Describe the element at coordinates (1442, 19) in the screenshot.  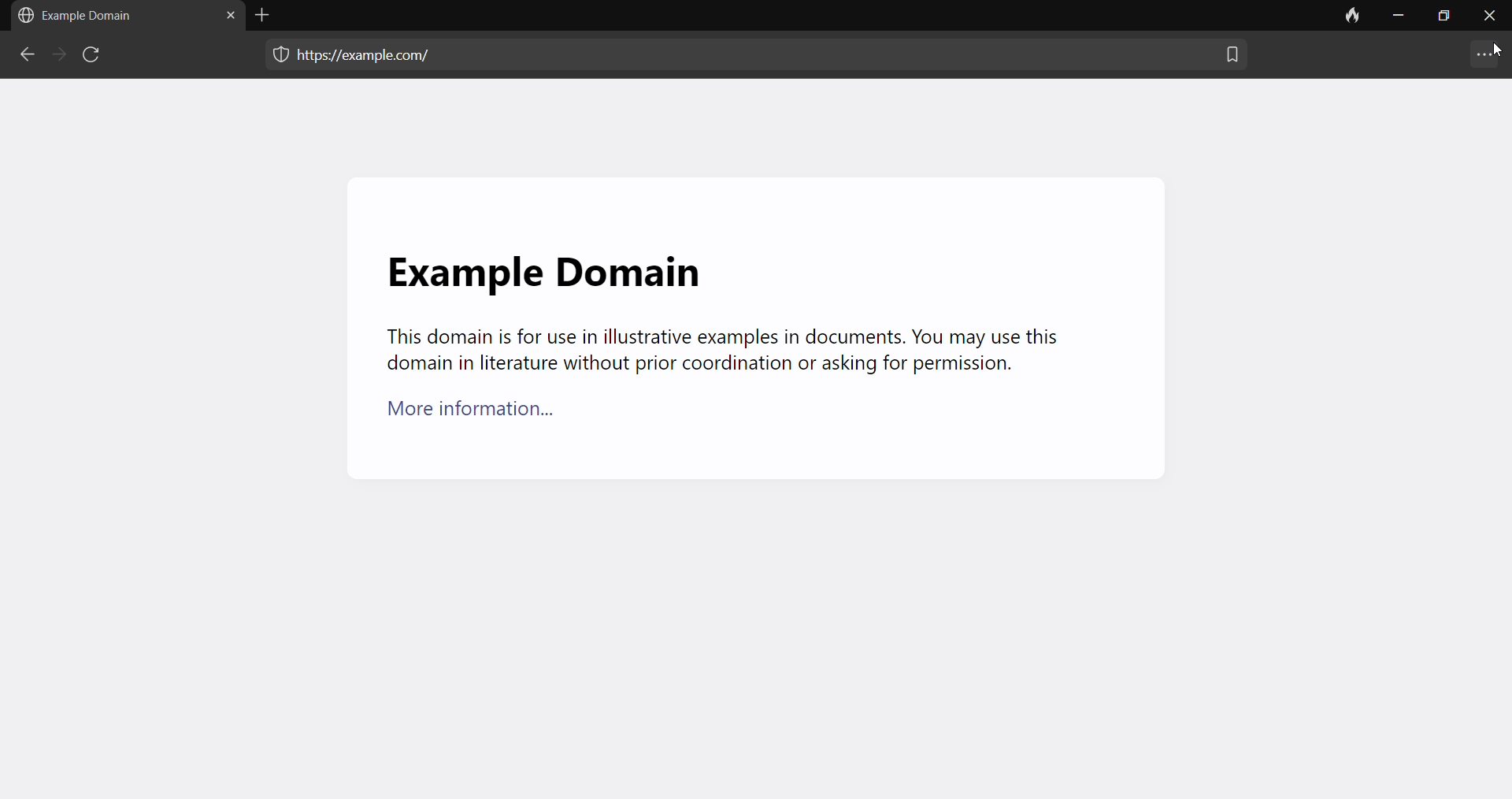
I see `maximize` at that location.